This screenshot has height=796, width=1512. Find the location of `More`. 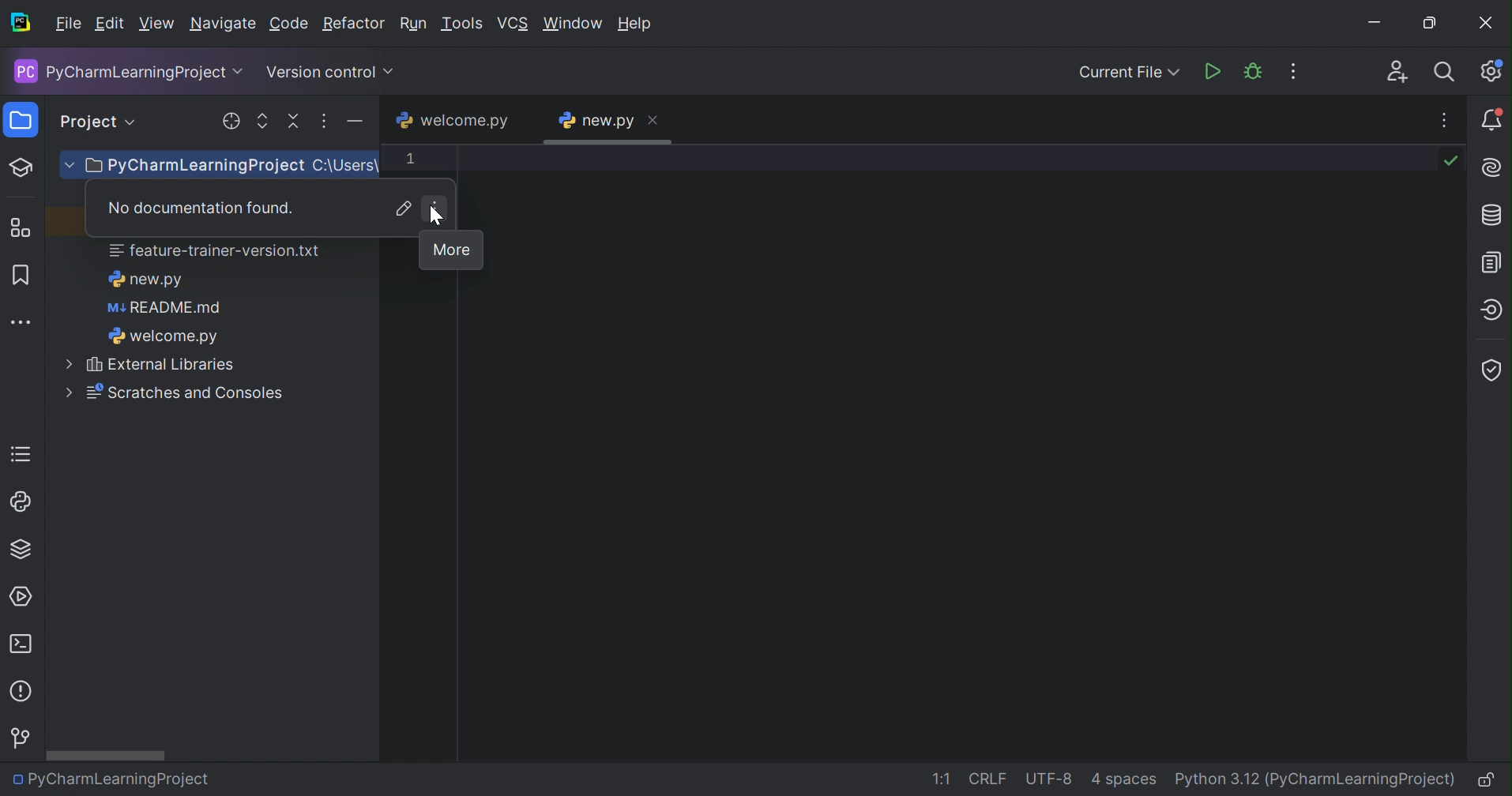

More is located at coordinates (453, 250).